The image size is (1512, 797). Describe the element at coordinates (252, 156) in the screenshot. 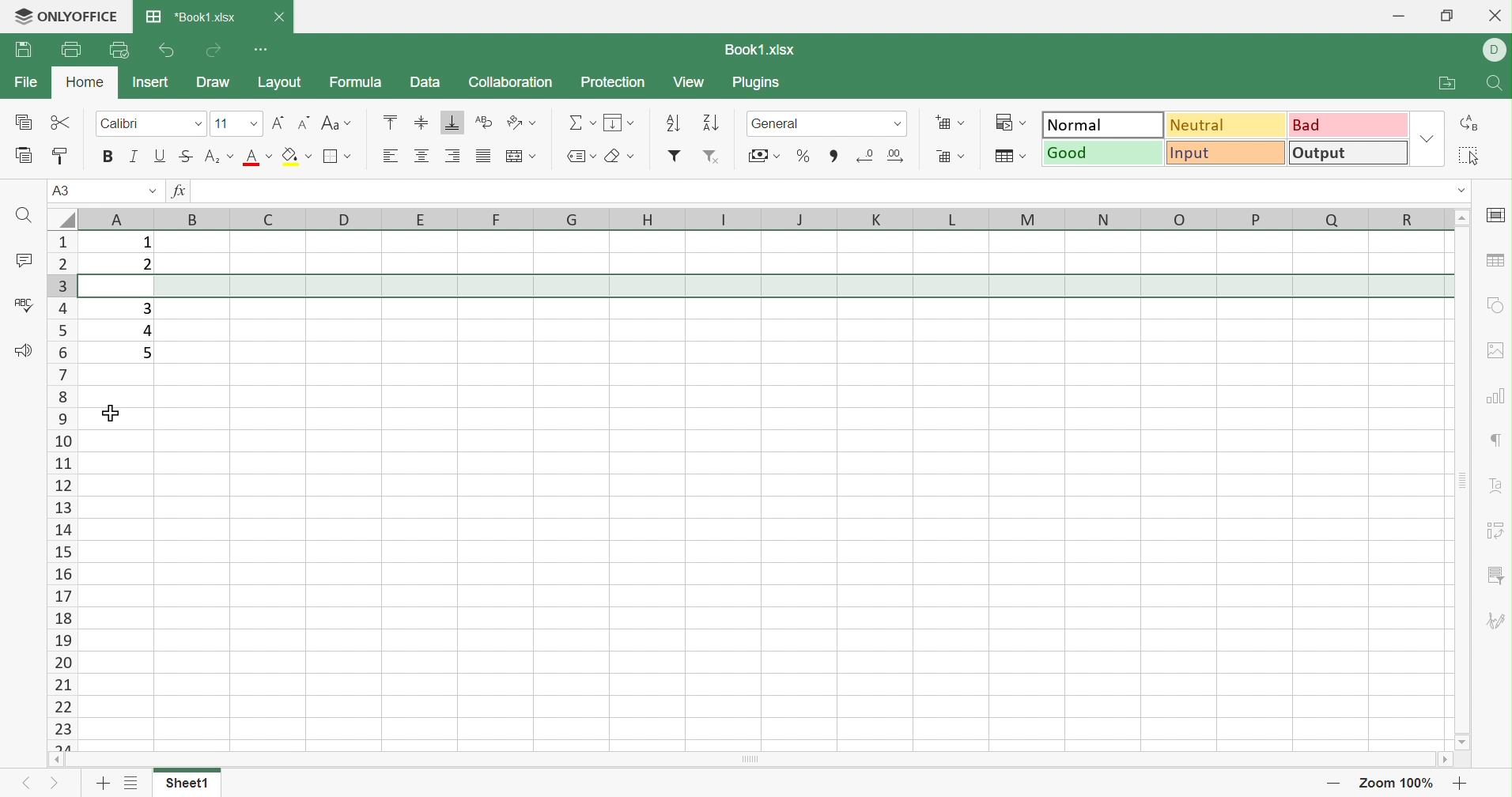

I see `Font color` at that location.